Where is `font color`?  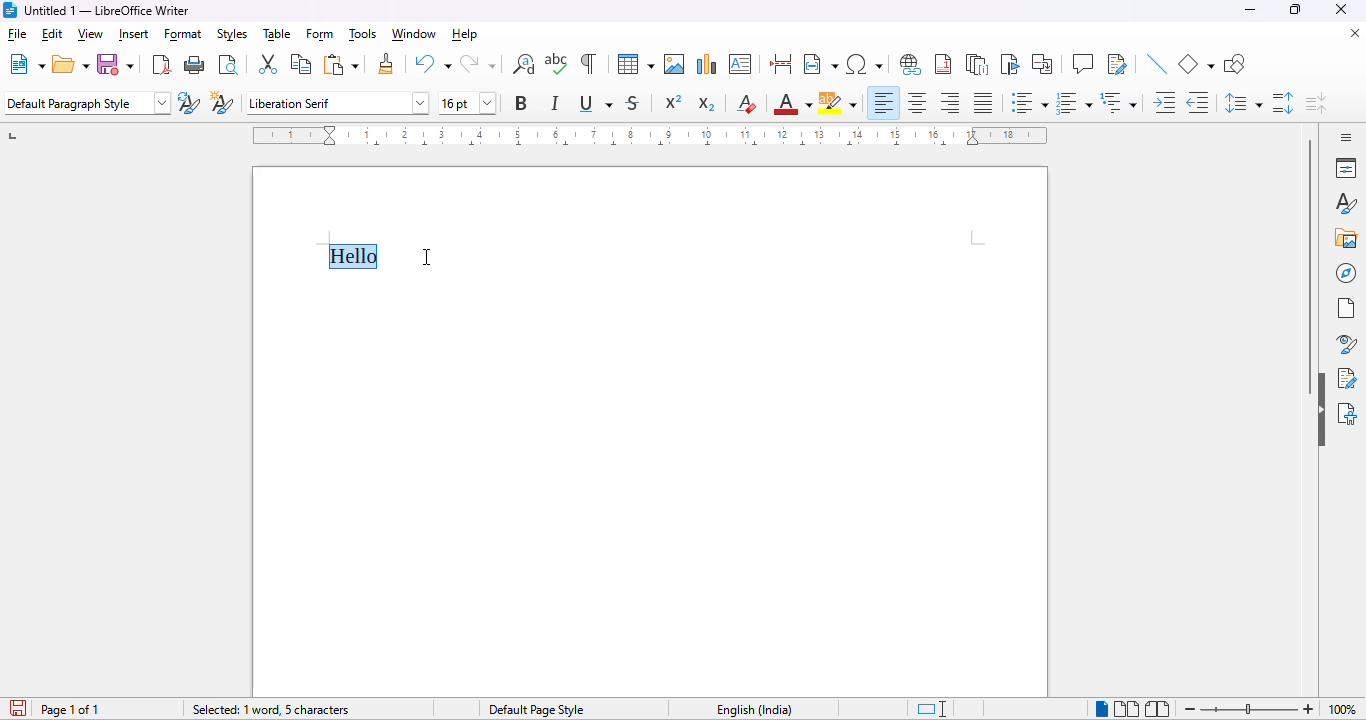
font color is located at coordinates (792, 103).